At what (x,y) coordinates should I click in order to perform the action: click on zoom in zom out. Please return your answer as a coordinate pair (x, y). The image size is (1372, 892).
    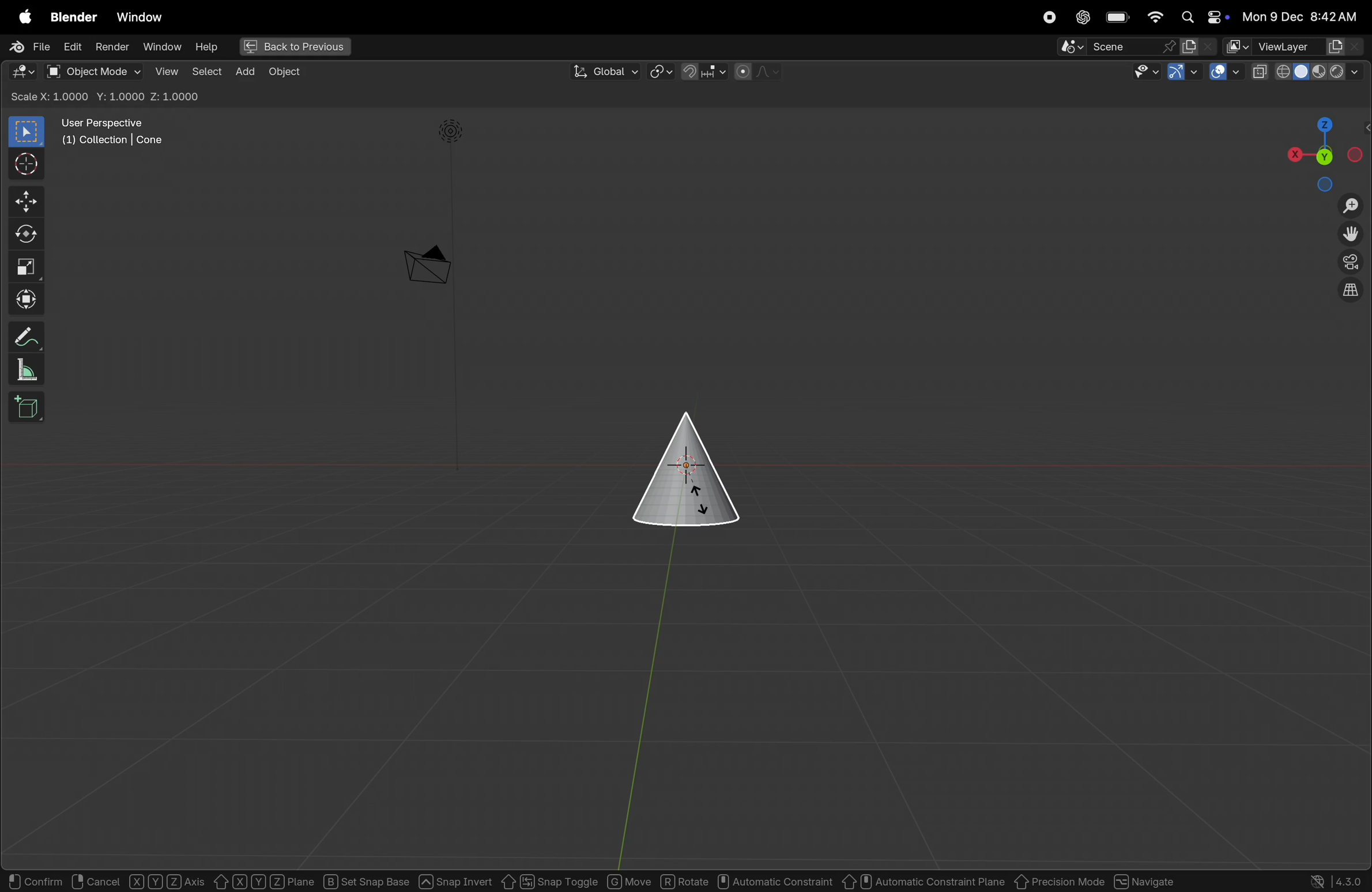
    Looking at the image, I should click on (1353, 205).